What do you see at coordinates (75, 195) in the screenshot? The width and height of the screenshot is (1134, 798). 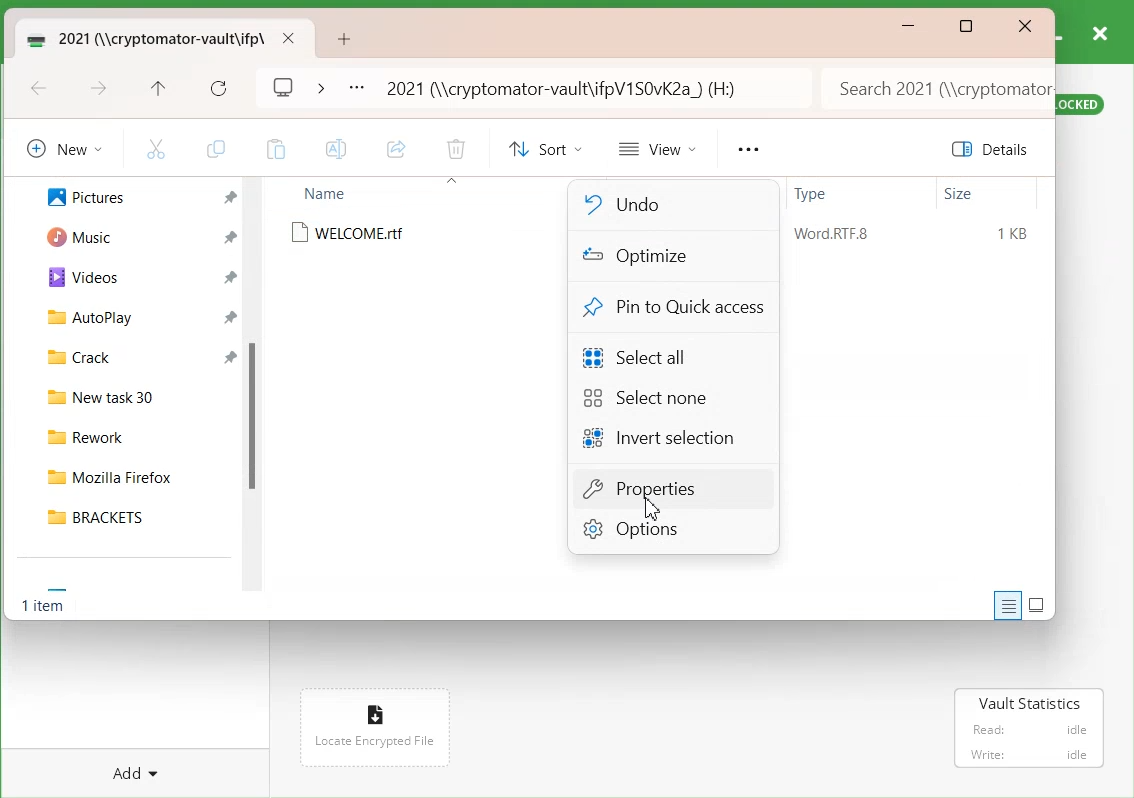 I see `Pictures` at bounding box center [75, 195].